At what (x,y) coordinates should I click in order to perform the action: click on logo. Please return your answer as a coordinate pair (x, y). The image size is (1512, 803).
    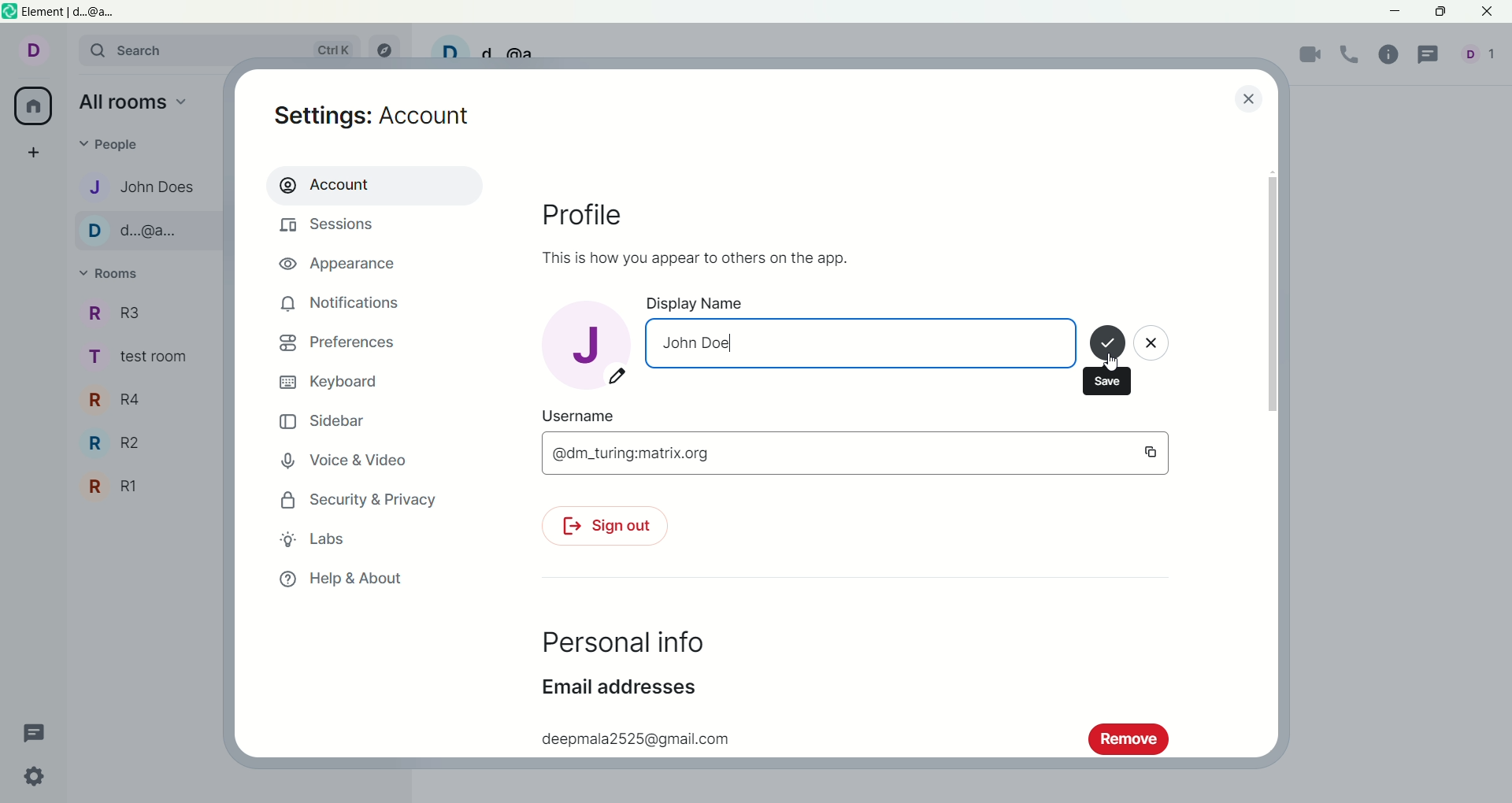
    Looking at the image, I should click on (10, 13).